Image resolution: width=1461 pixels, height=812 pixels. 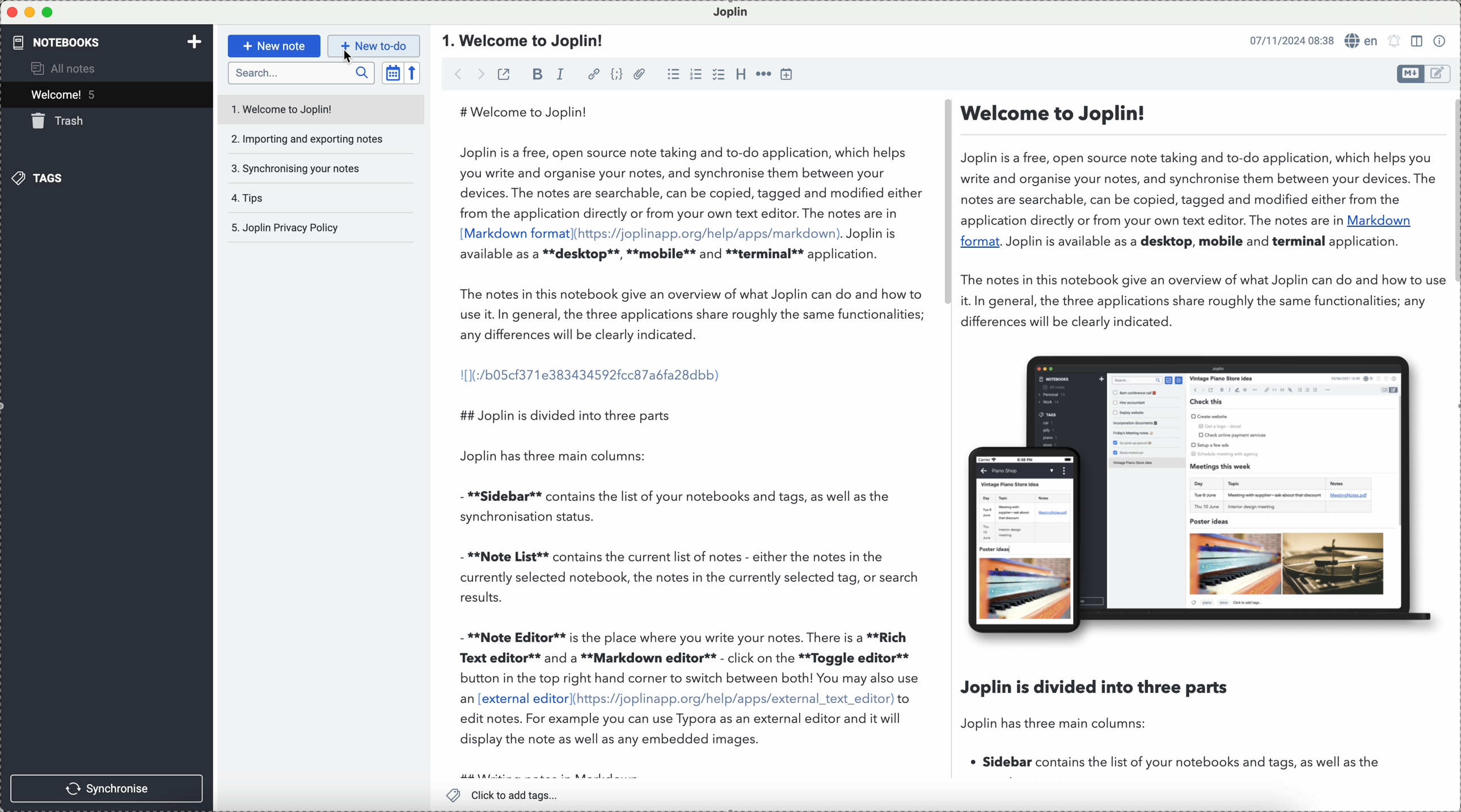 I want to click on synchronising your notes, so click(x=320, y=170).